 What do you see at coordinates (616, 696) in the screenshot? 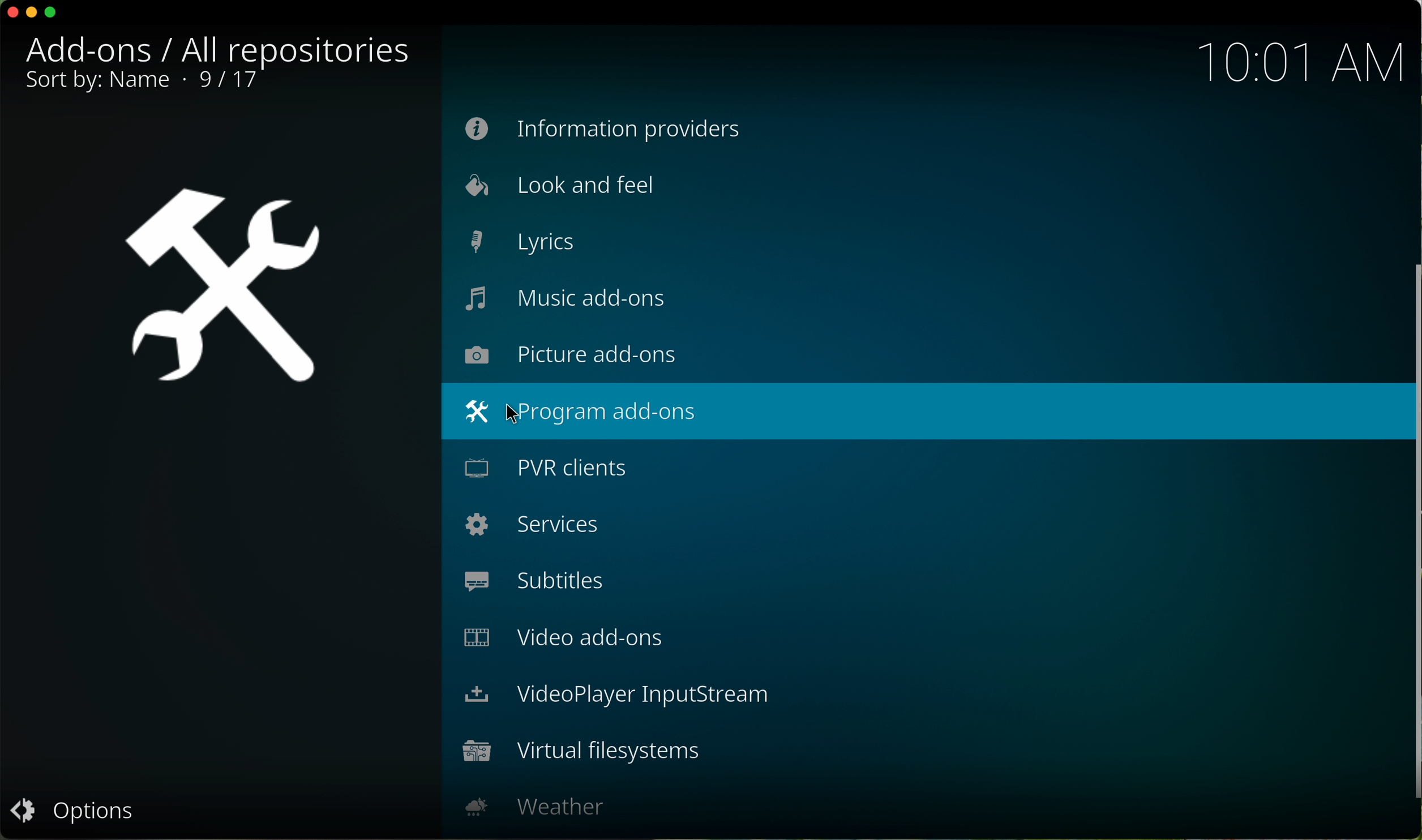
I see `videoplayer inputstream` at bounding box center [616, 696].